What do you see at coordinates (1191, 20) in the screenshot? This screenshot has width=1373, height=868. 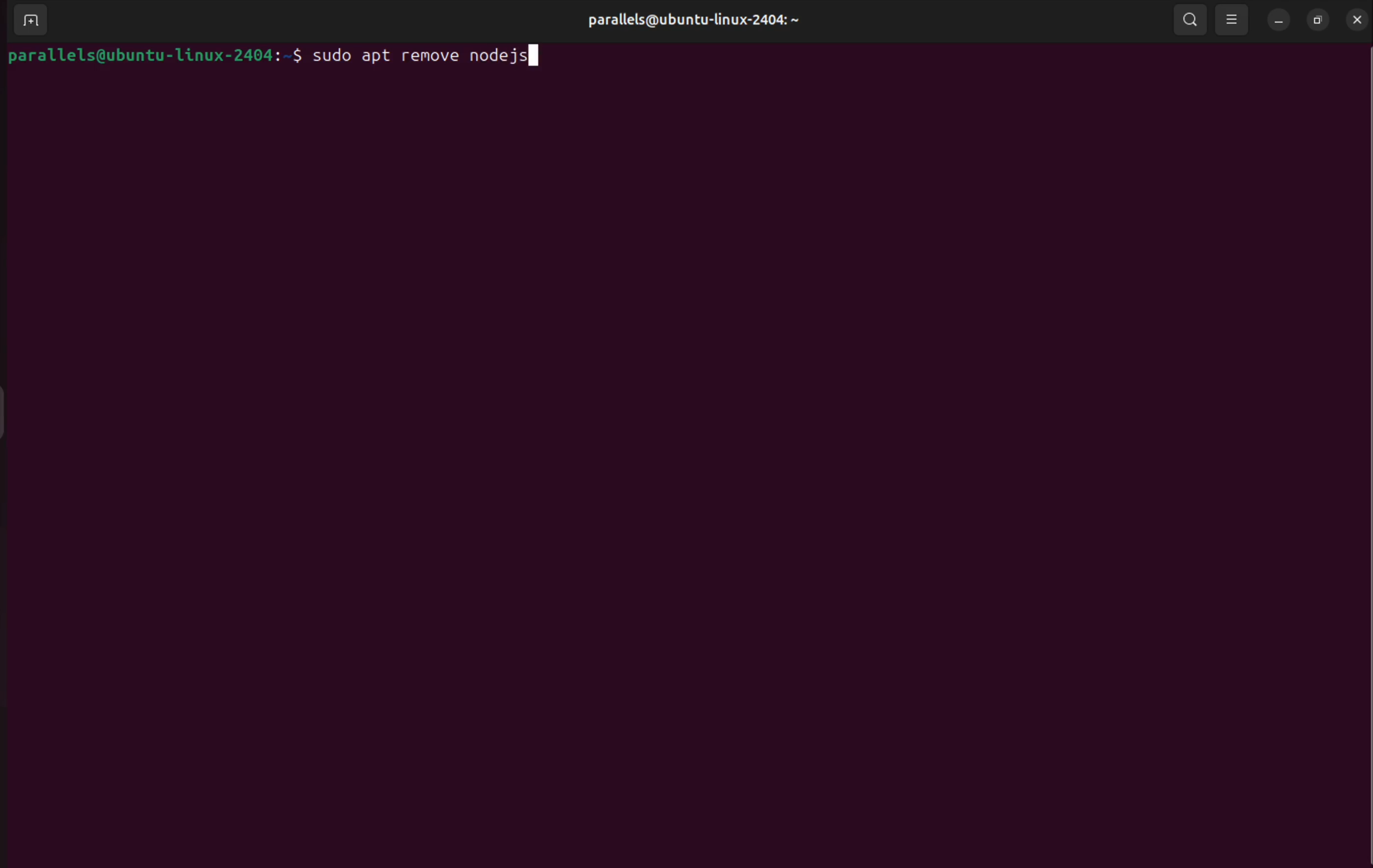 I see `search` at bounding box center [1191, 20].